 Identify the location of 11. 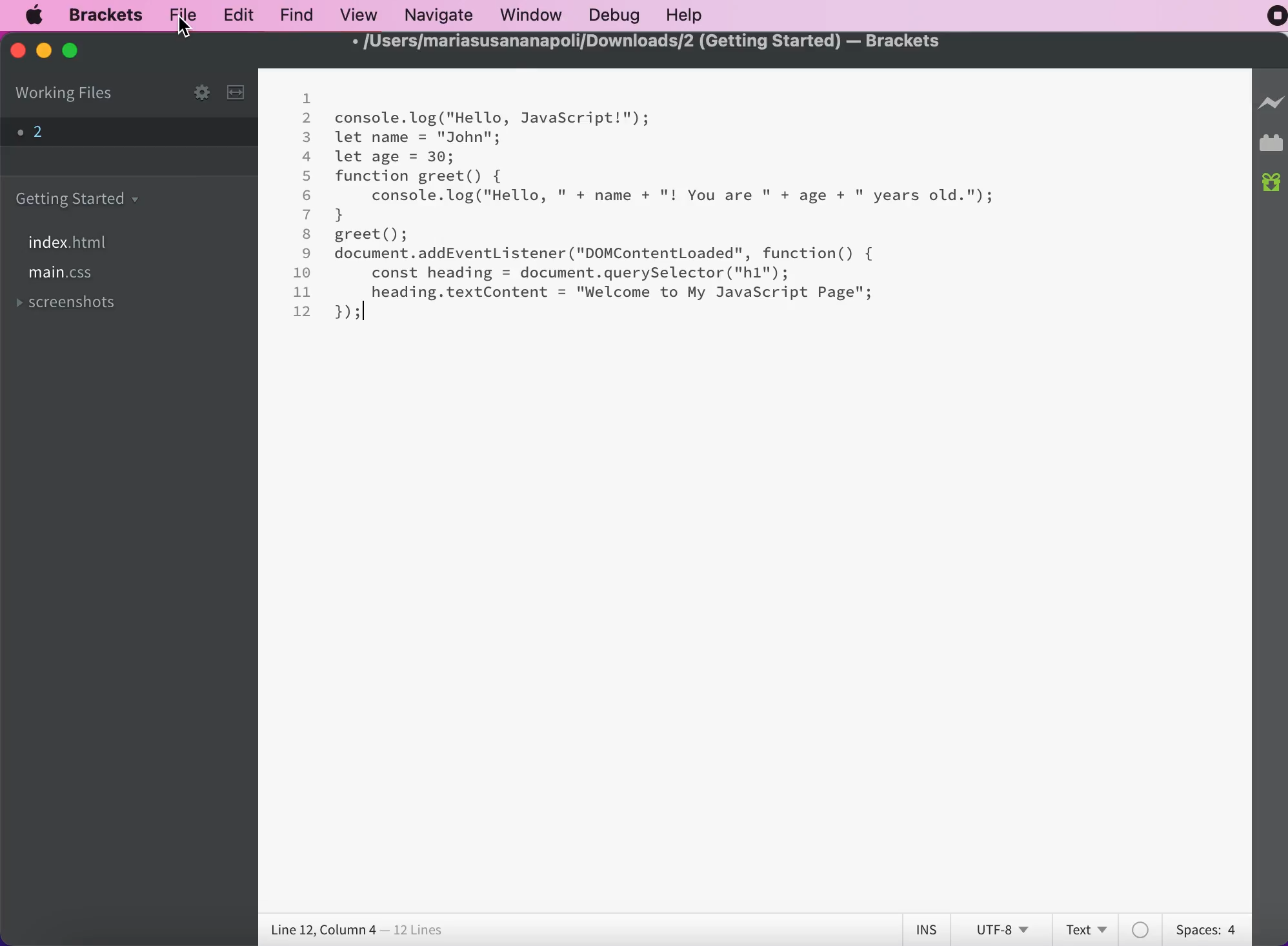
(303, 292).